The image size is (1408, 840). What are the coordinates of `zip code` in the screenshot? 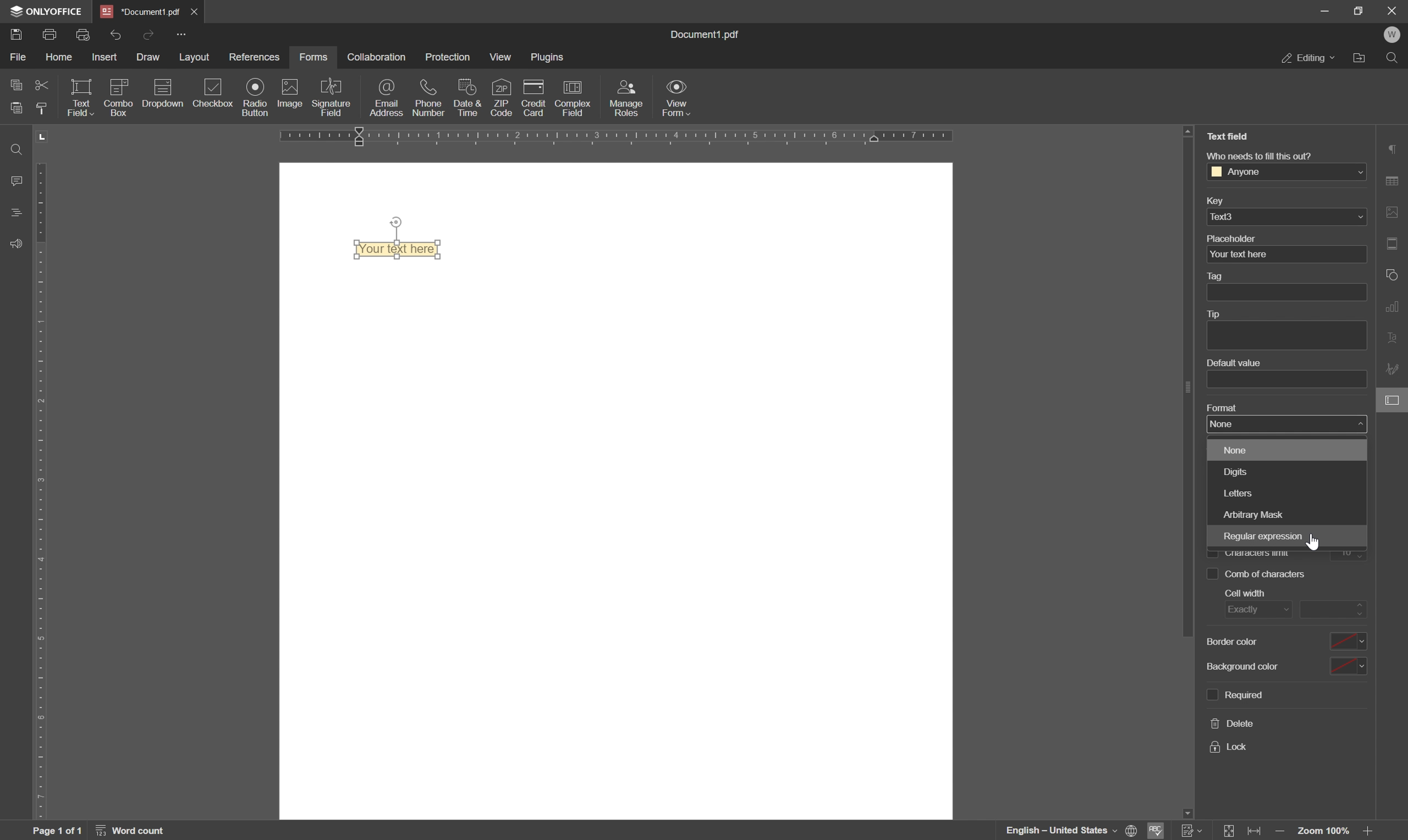 It's located at (502, 97).